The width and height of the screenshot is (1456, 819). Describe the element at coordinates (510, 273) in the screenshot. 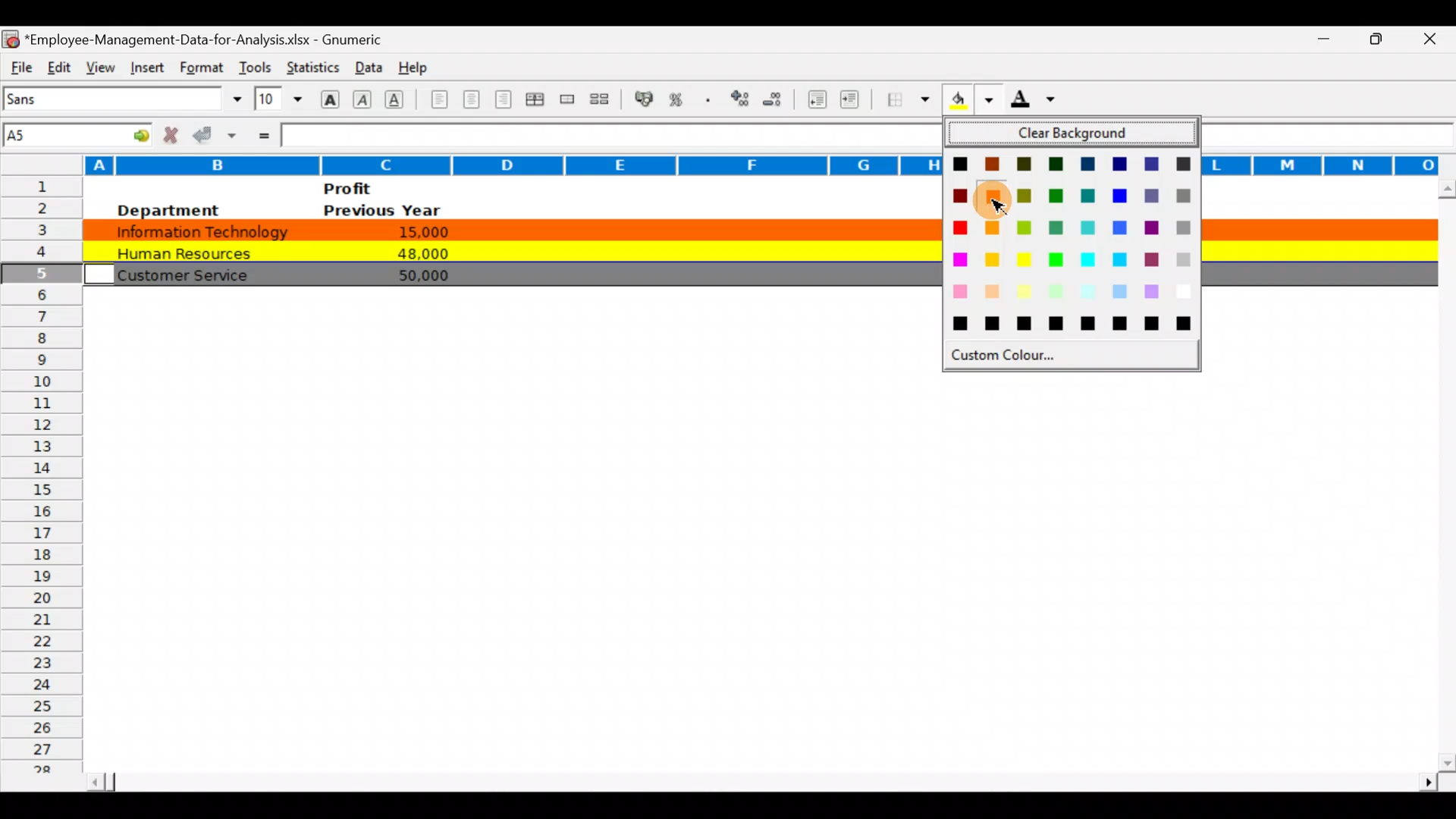

I see `Row 5 of data selected` at that location.